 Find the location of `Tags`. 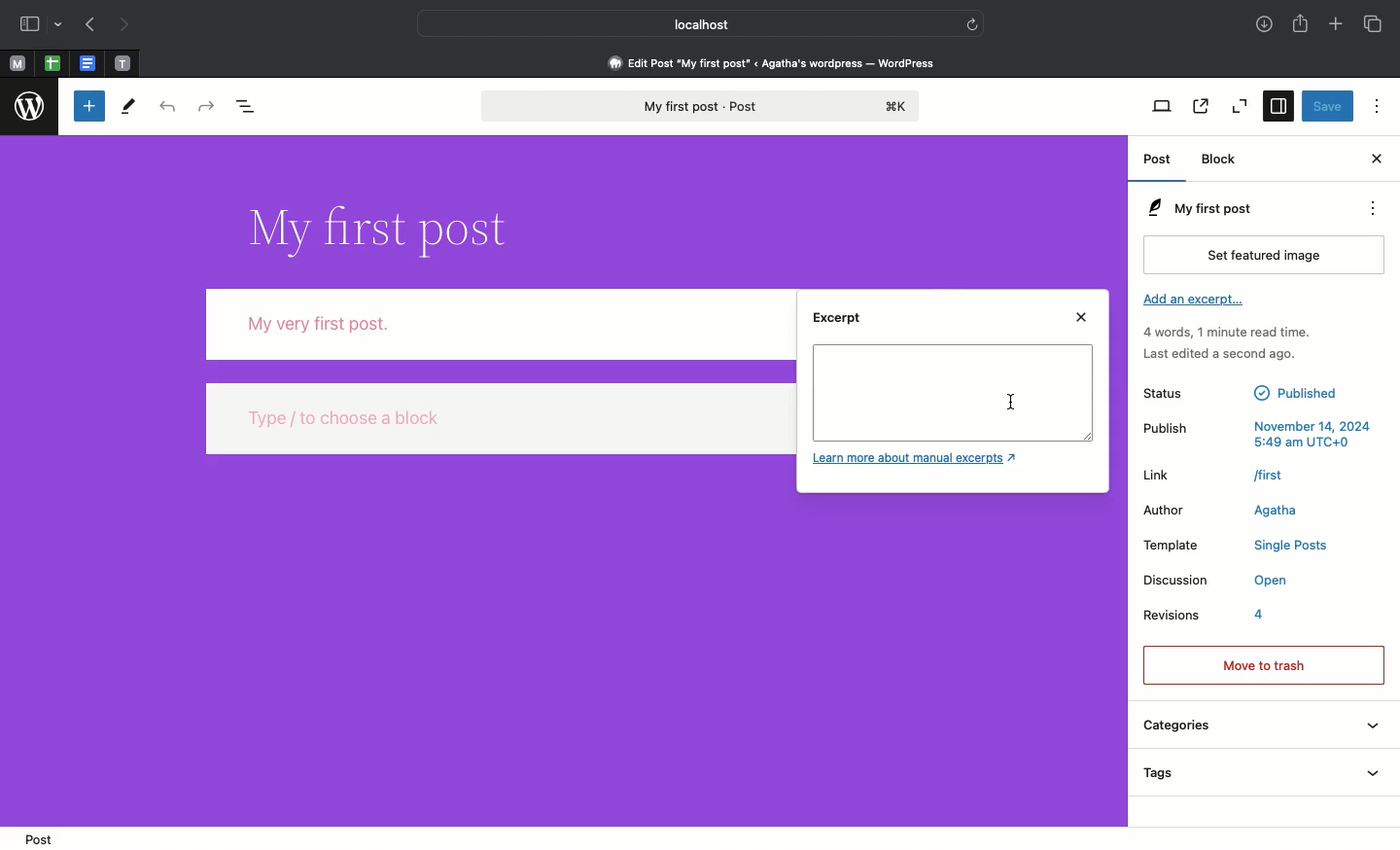

Tags is located at coordinates (1259, 775).